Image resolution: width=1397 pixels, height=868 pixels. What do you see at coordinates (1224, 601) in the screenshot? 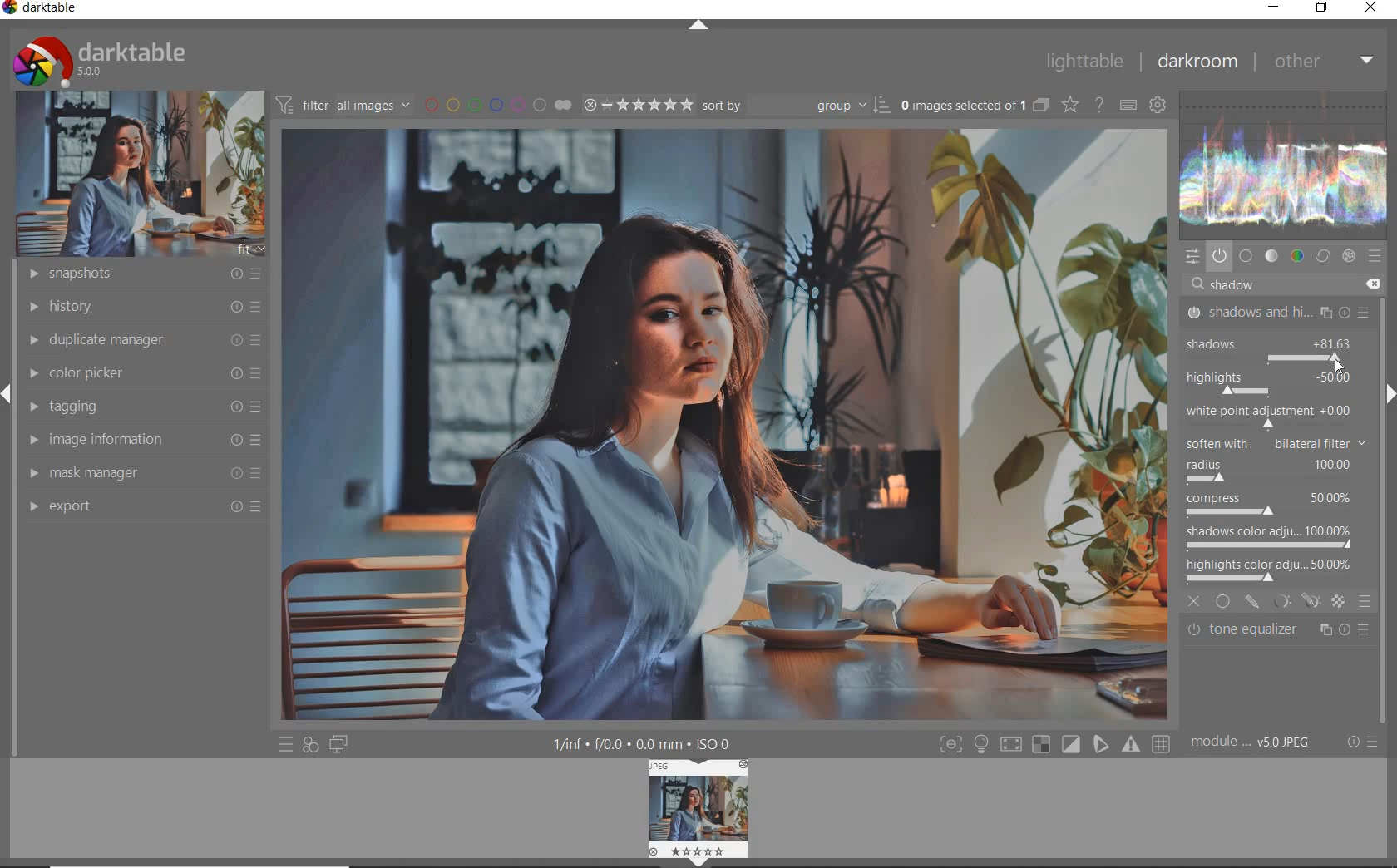
I see `uniformly` at bounding box center [1224, 601].